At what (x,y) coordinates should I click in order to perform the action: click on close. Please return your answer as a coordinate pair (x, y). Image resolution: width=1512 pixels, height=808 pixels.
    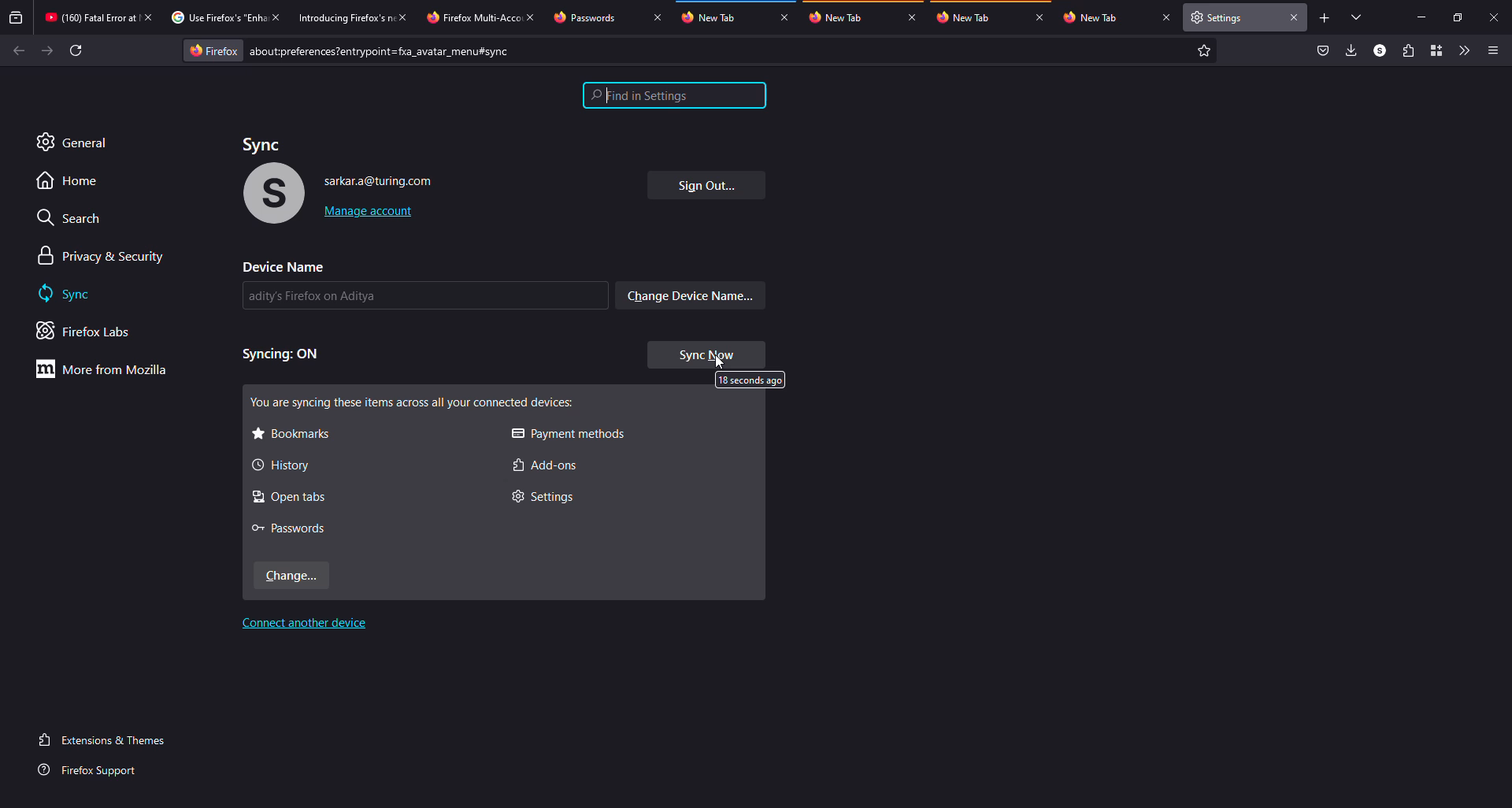
    Looking at the image, I should click on (402, 17).